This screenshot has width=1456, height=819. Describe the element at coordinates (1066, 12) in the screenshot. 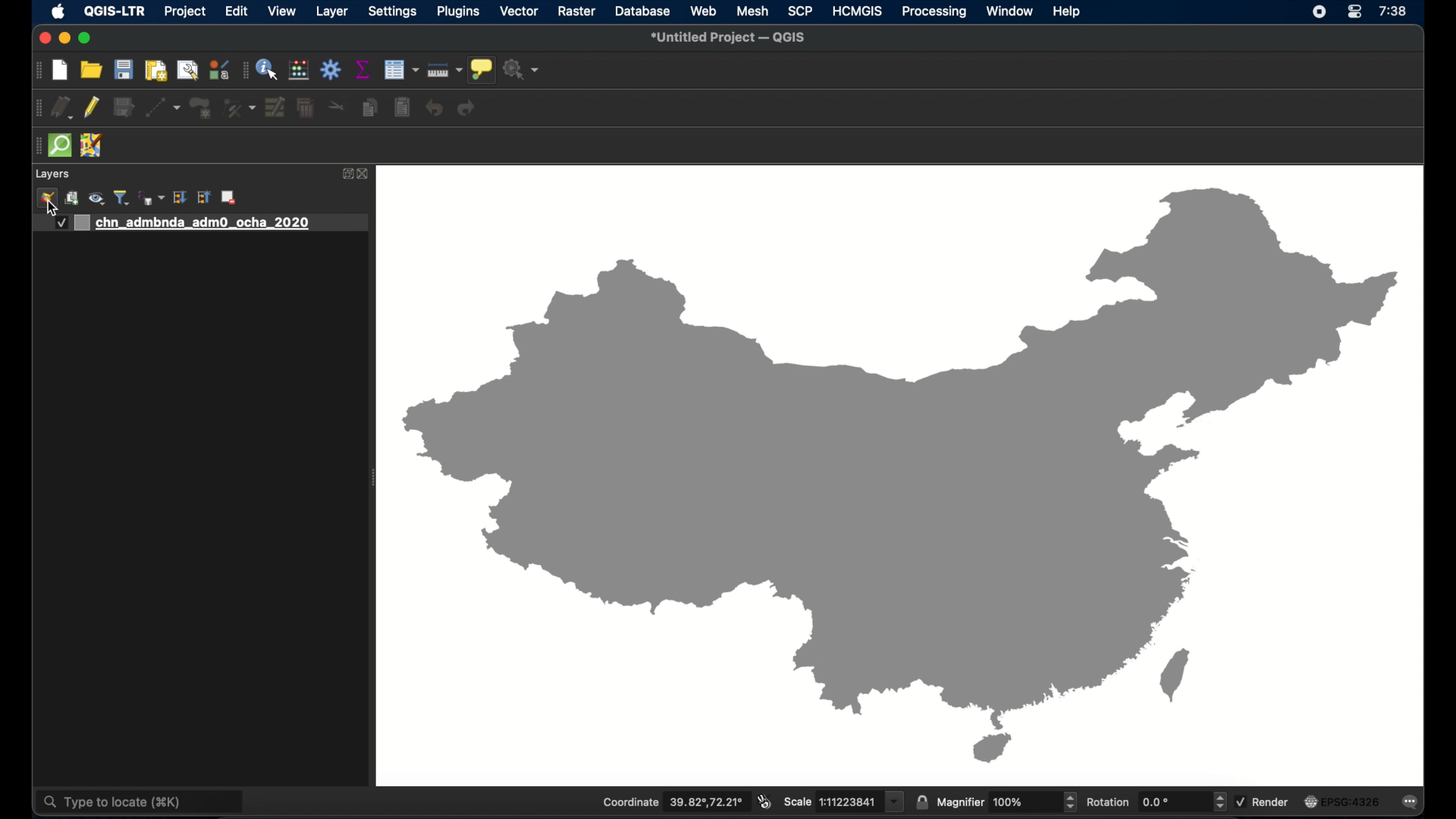

I see `help` at that location.